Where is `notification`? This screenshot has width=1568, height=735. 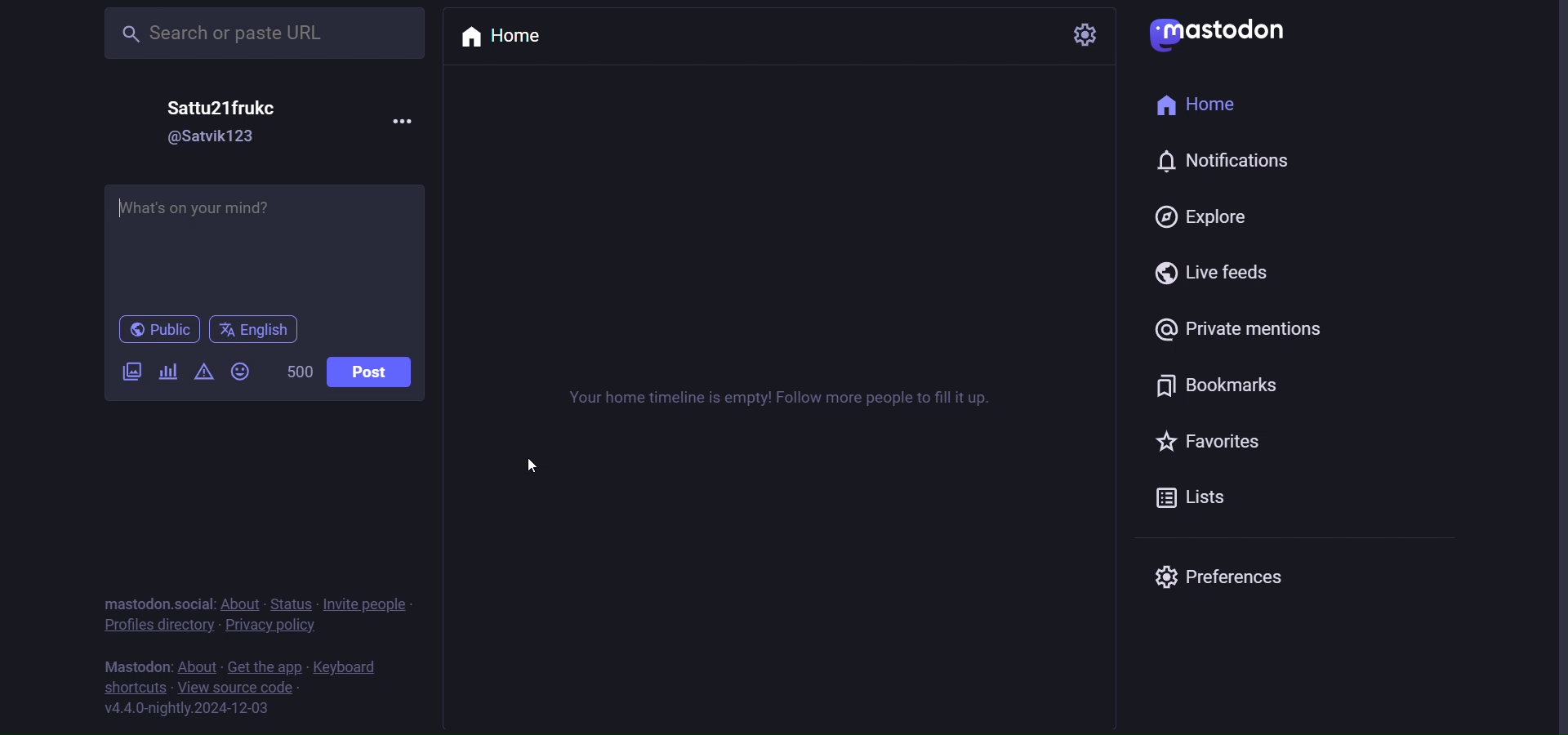 notification is located at coordinates (1223, 163).